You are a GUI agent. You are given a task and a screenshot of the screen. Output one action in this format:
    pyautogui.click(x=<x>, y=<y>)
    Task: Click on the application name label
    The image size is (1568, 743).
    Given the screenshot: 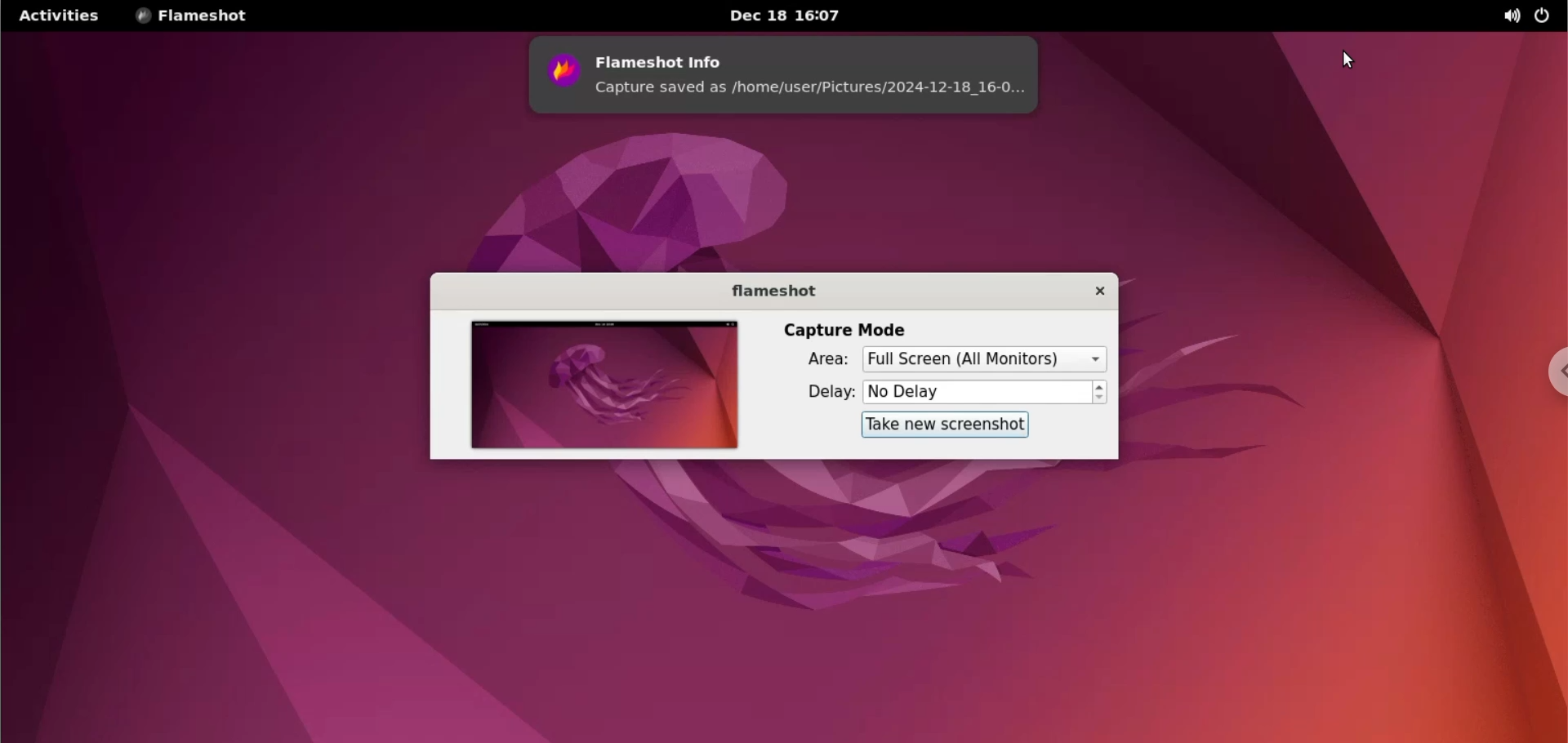 What is the action you would take?
    pyautogui.click(x=775, y=291)
    